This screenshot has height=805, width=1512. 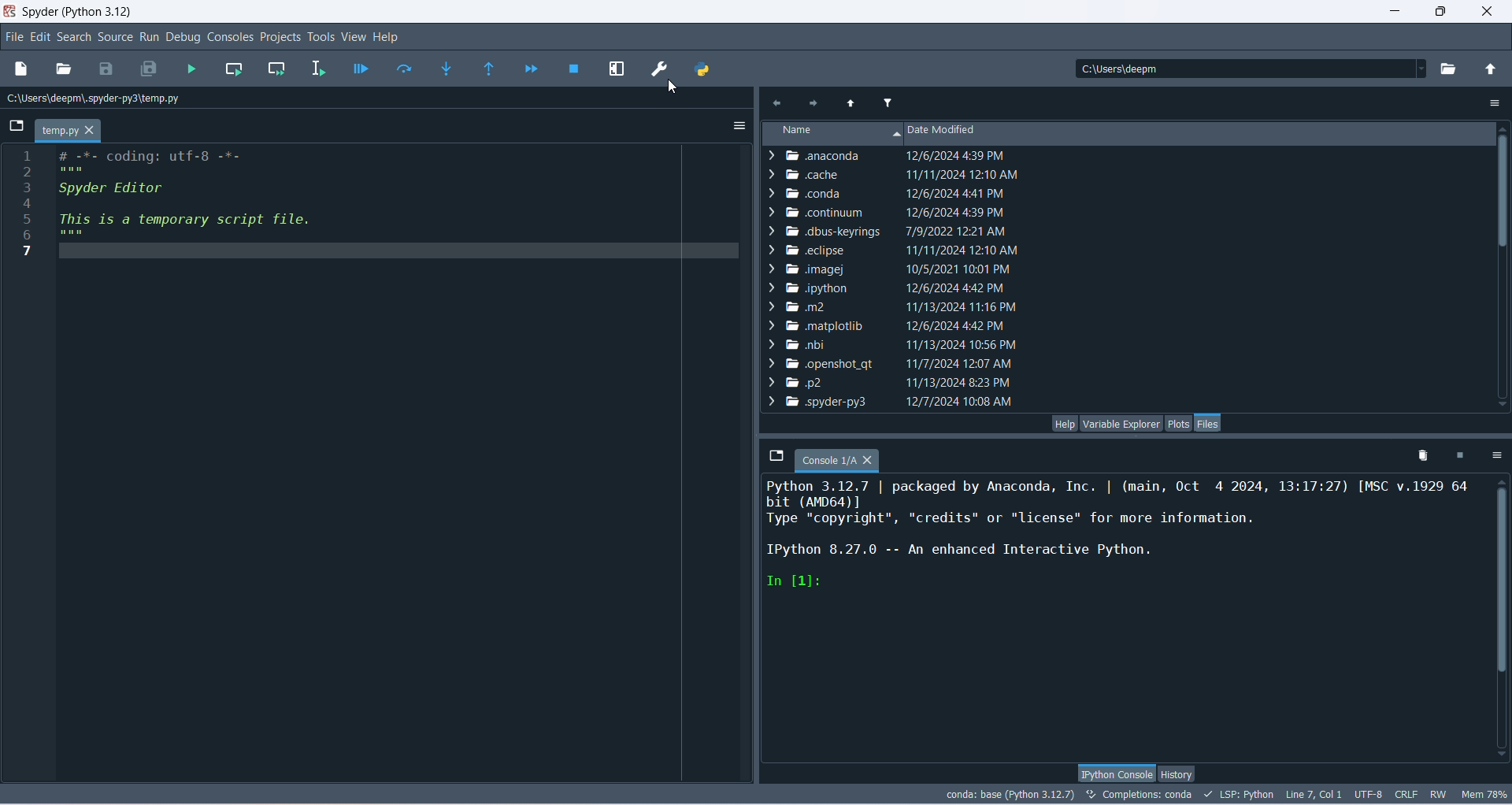 I want to click on filter files, so click(x=887, y=103).